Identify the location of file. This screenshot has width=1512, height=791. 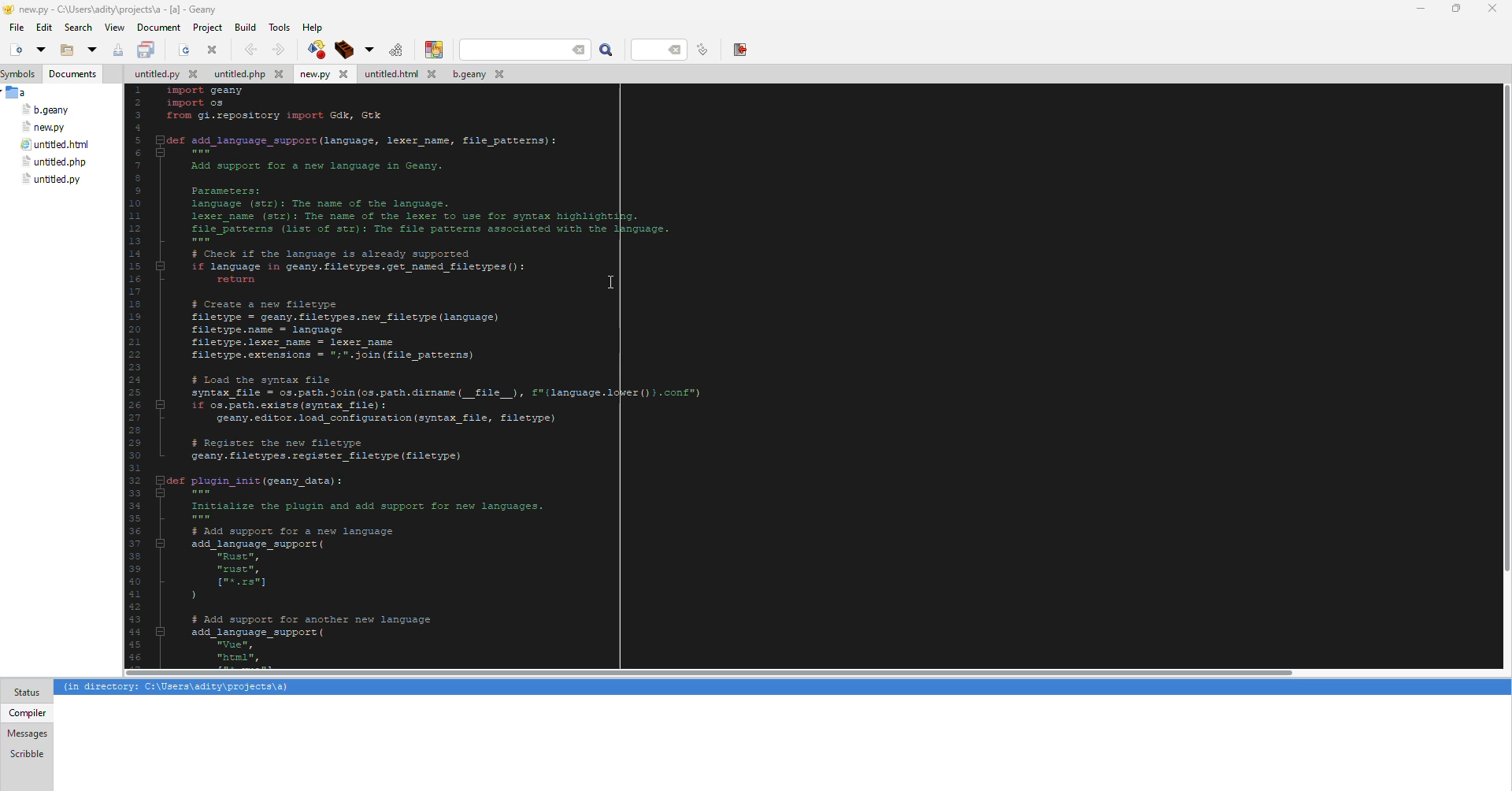
(398, 74).